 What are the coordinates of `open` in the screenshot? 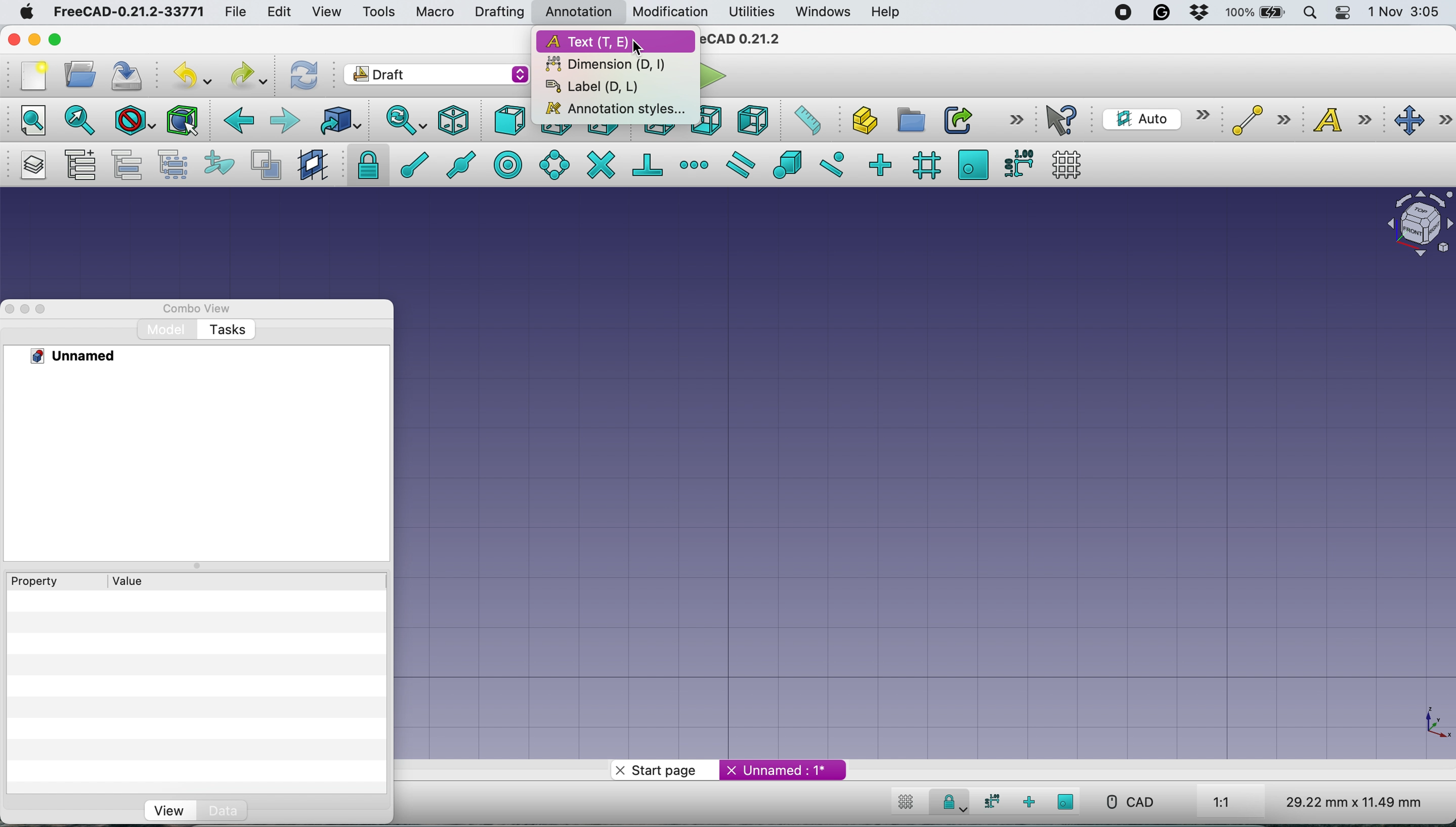 It's located at (76, 73).